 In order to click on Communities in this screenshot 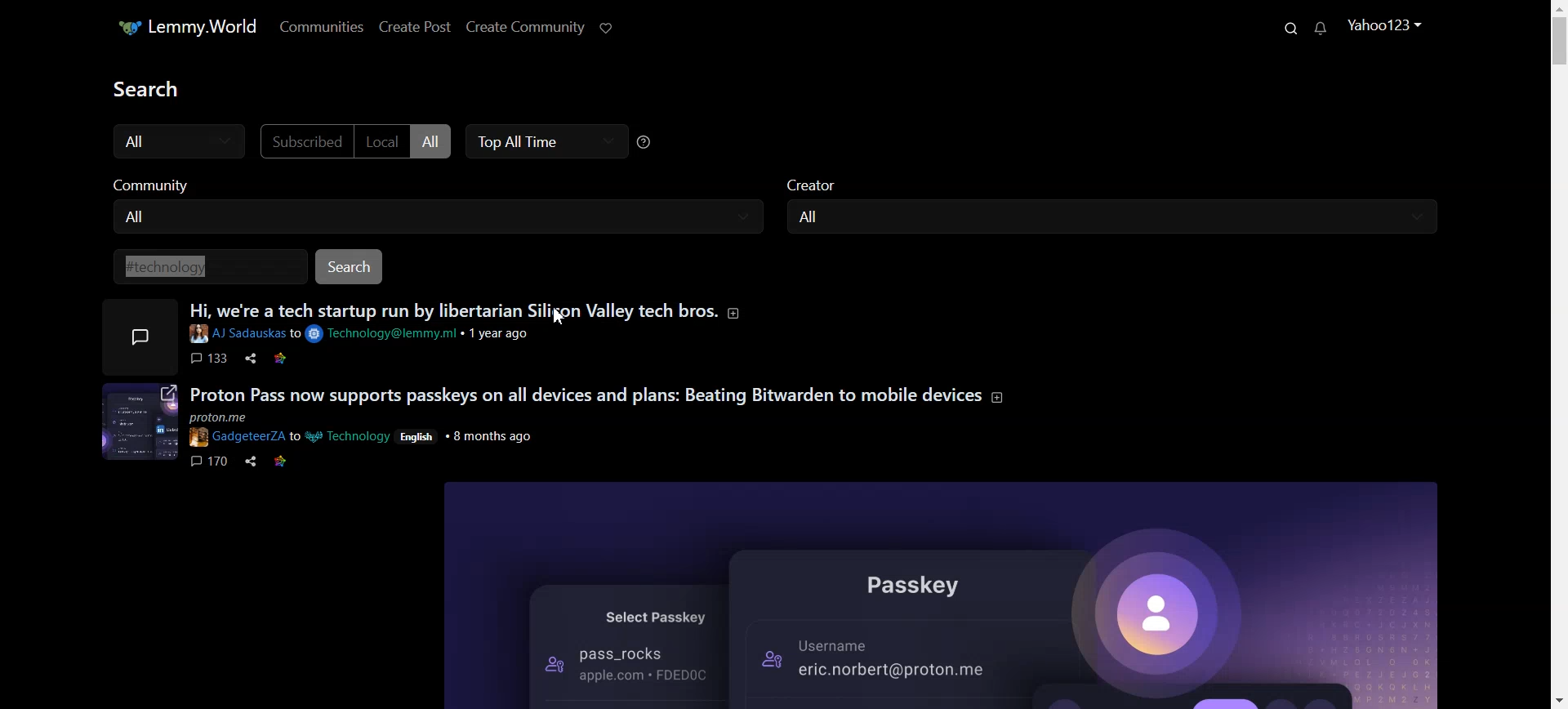, I will do `click(320, 26)`.